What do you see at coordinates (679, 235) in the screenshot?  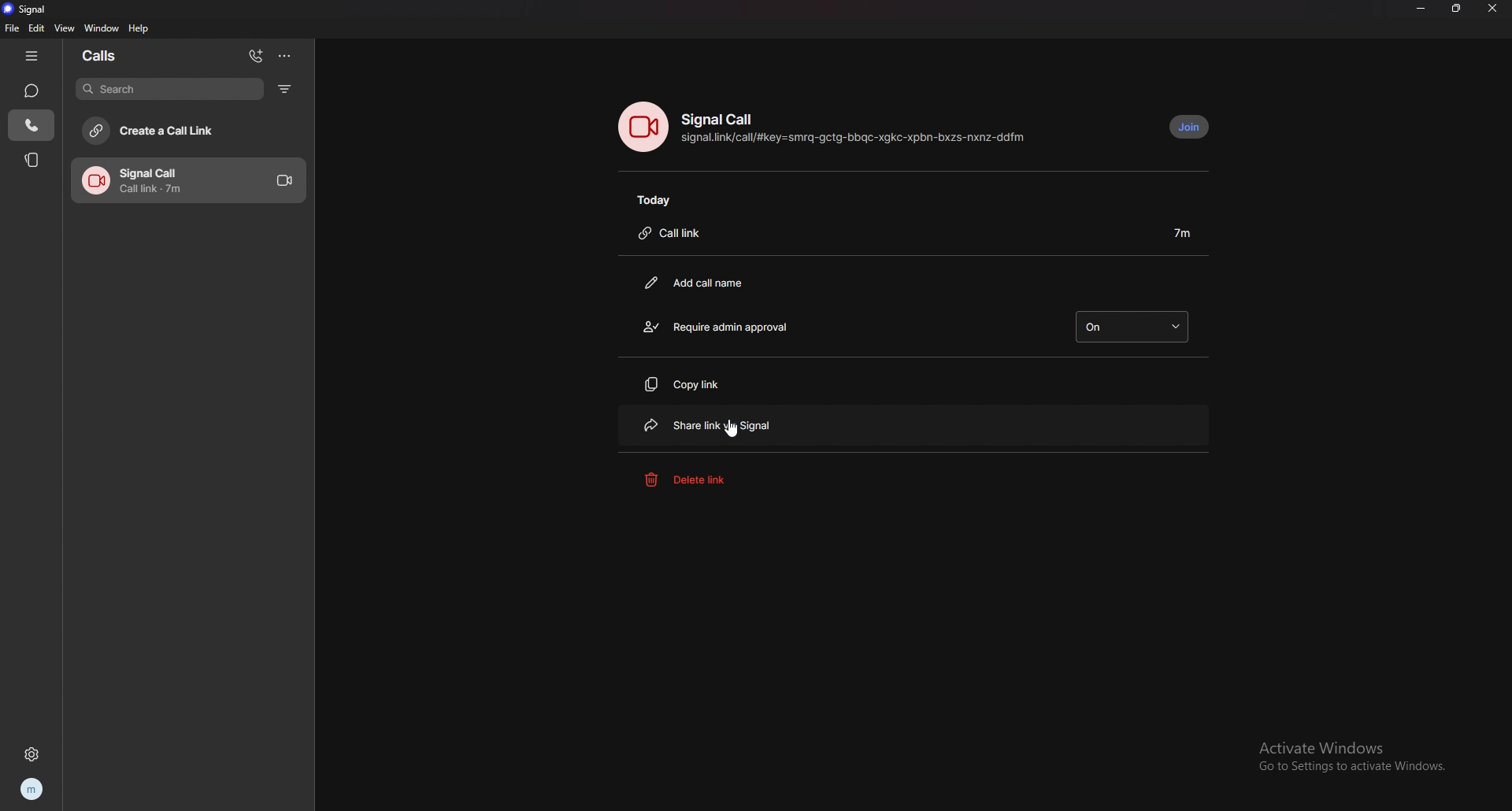 I see `call link` at bounding box center [679, 235].